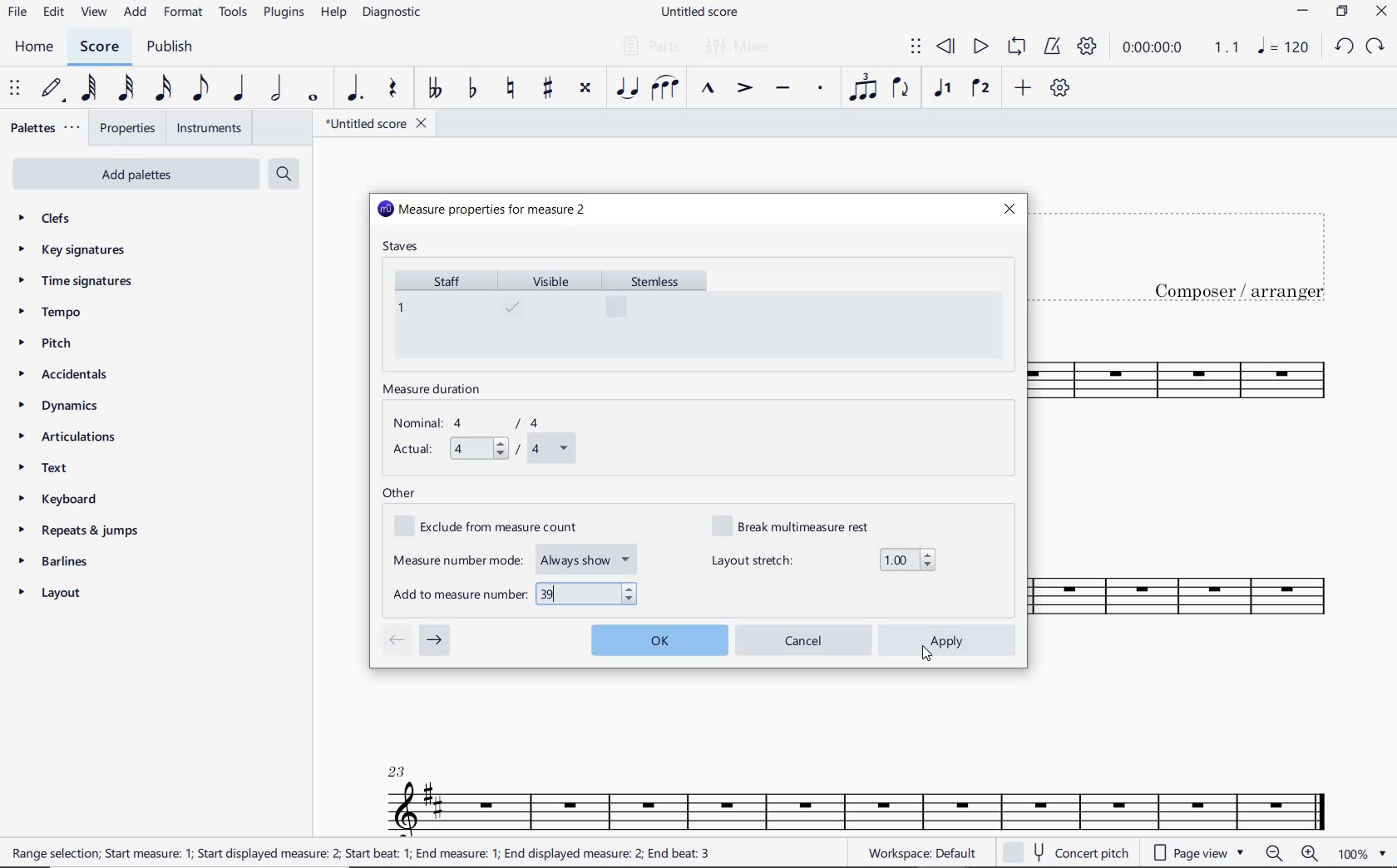  I want to click on FLIP DIRECTION, so click(901, 90).